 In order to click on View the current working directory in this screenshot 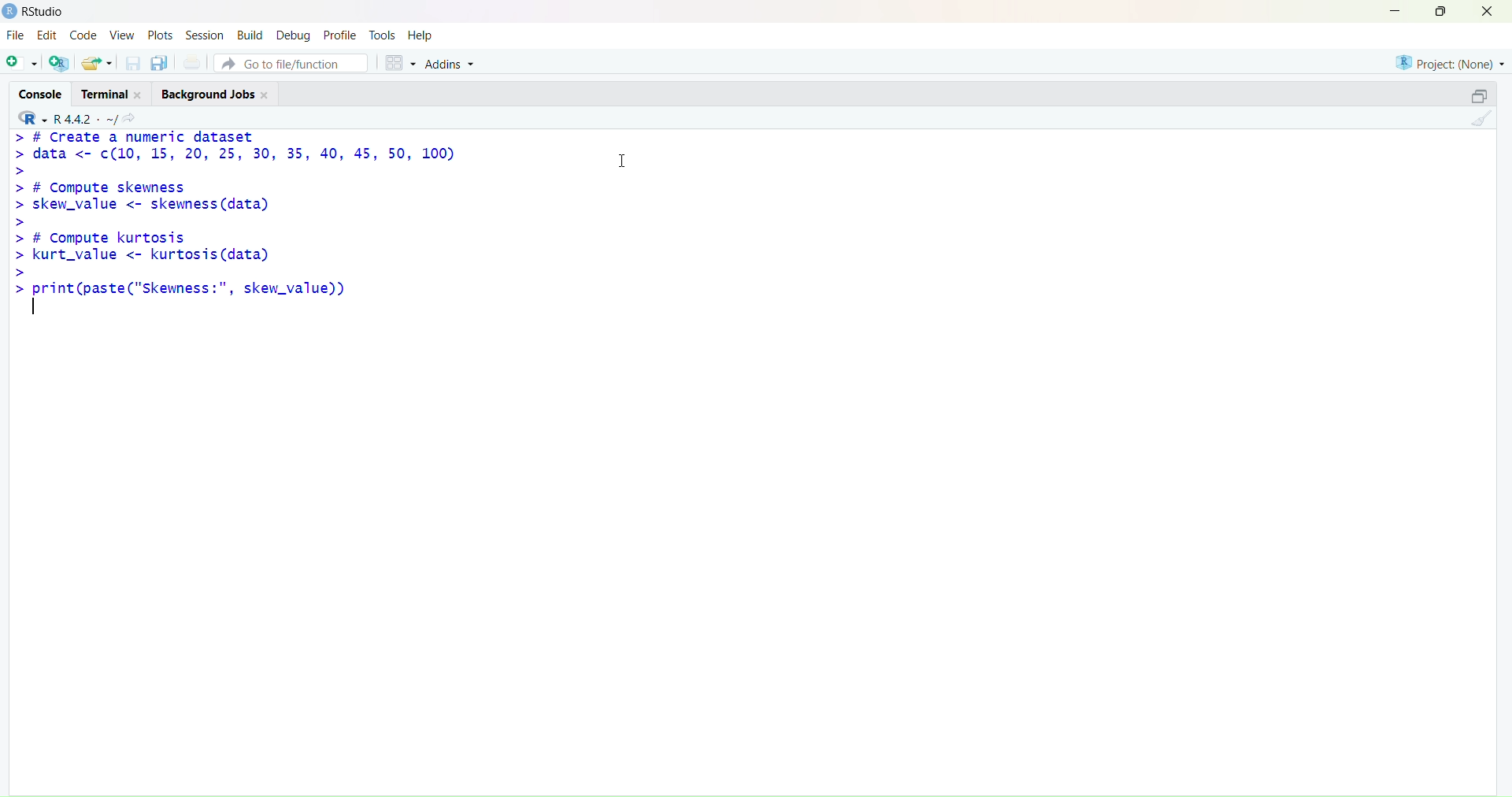, I will do `click(134, 117)`.